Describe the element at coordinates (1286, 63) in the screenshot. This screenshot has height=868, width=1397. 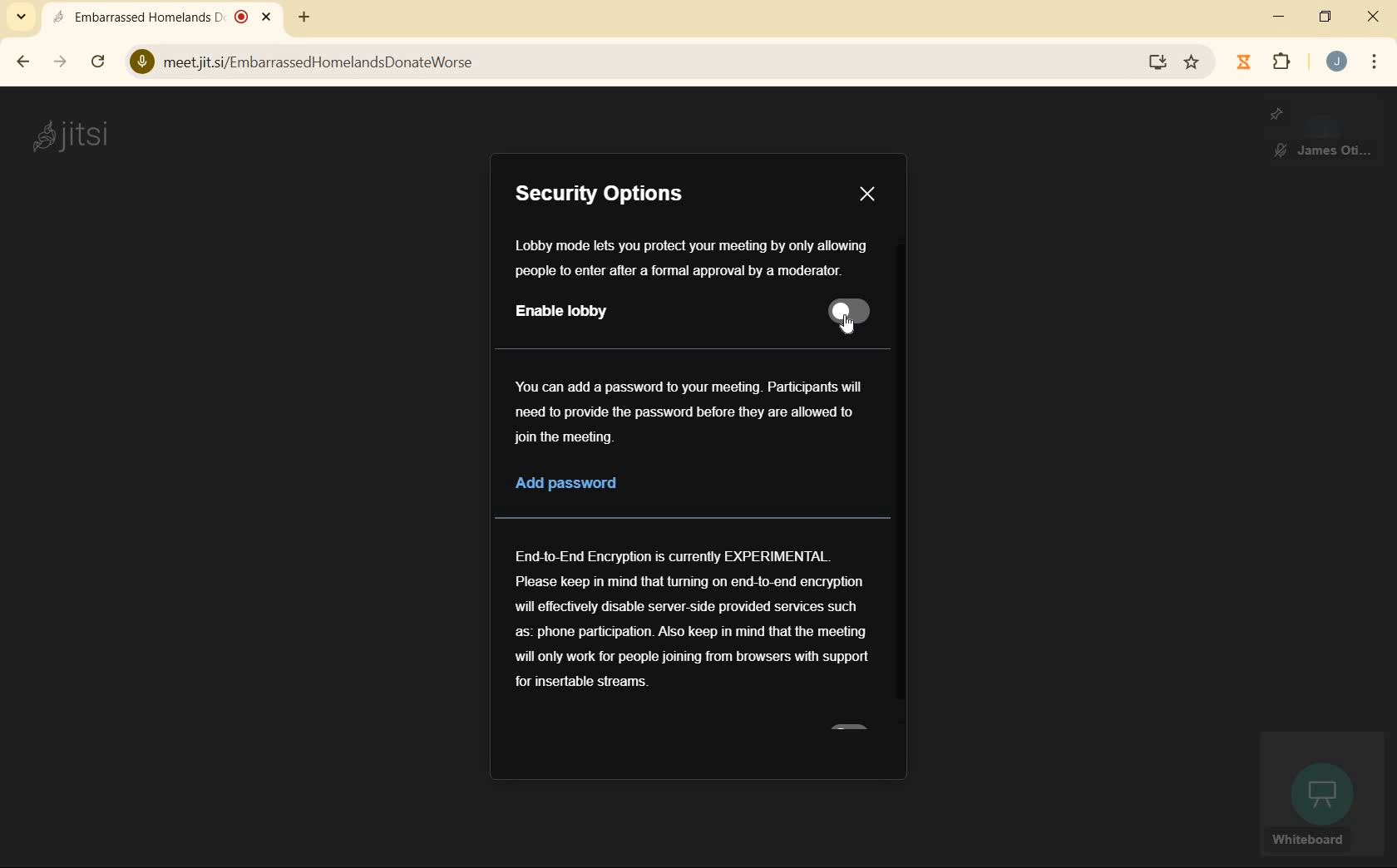
I see `extensions` at that location.